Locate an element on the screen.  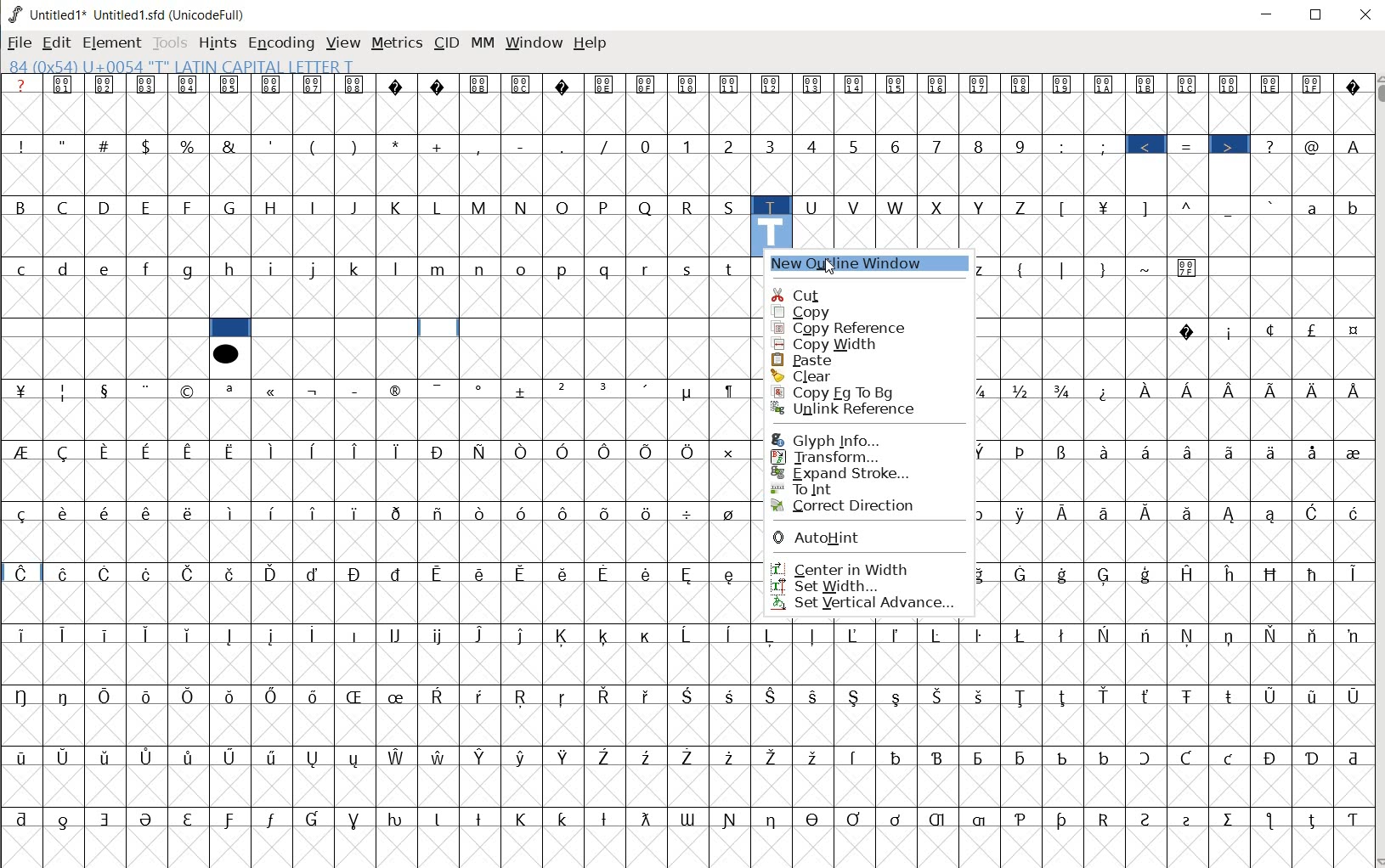
Symbol is located at coordinates (357, 818).